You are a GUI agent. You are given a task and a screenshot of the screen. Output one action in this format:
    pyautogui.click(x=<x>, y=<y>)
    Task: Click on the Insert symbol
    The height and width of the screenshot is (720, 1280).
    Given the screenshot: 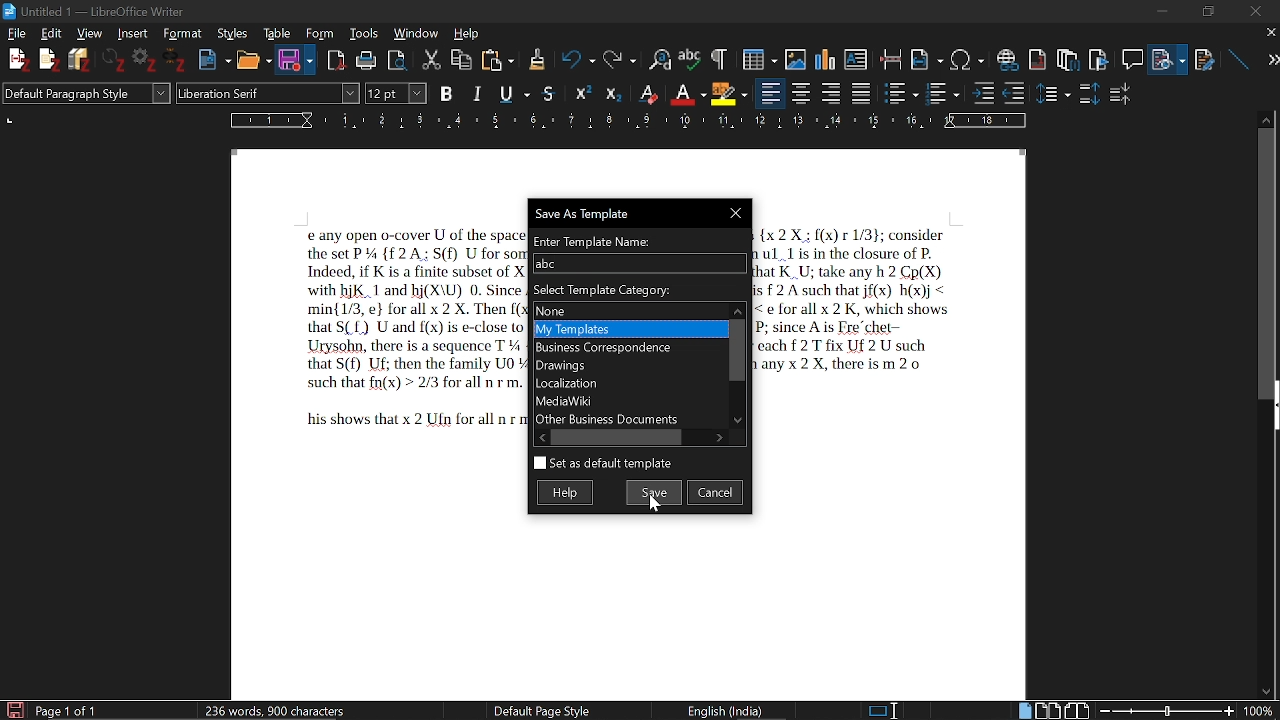 What is the action you would take?
    pyautogui.click(x=968, y=58)
    